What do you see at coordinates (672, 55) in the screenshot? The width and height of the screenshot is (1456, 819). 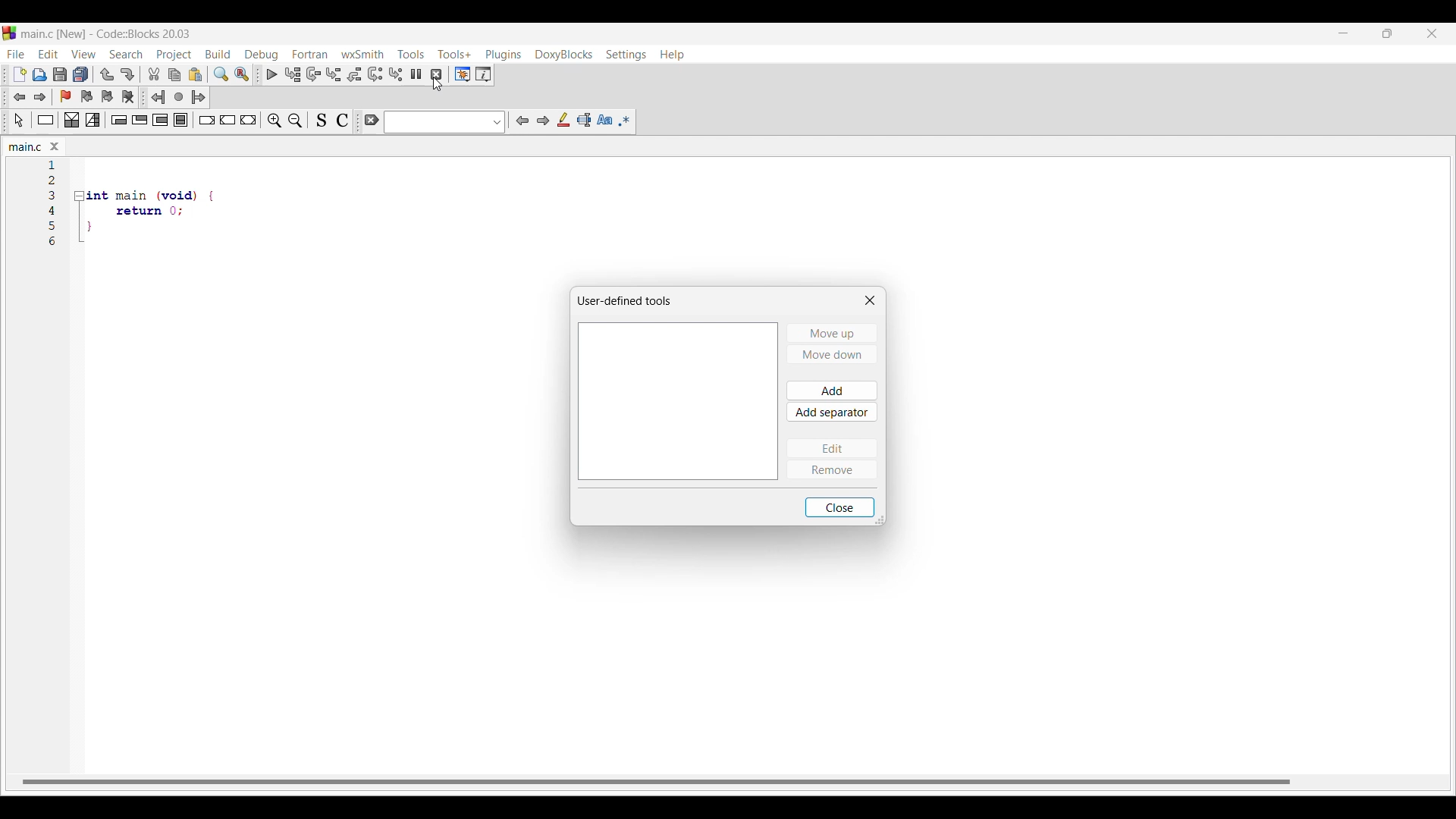 I see `Help menu` at bounding box center [672, 55].